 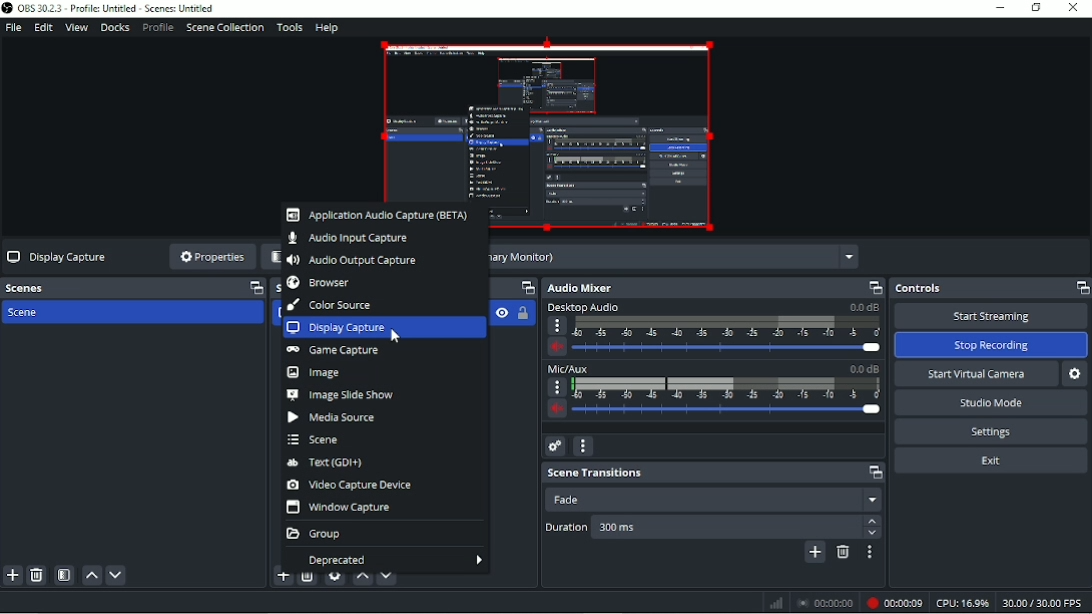 What do you see at coordinates (555, 447) in the screenshot?
I see `Advanced audio properties` at bounding box center [555, 447].